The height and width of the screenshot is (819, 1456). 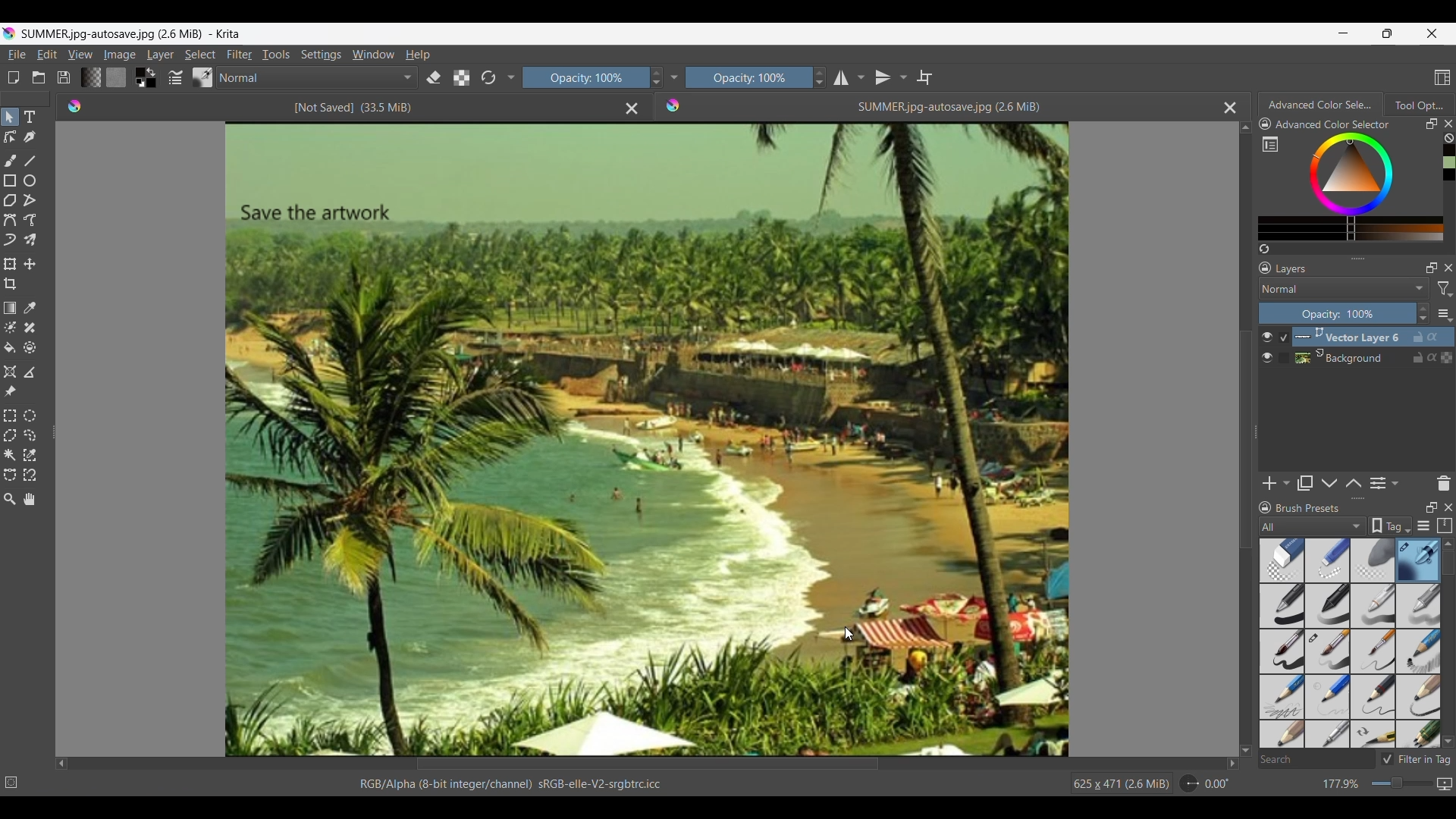 What do you see at coordinates (30, 474) in the screenshot?
I see `Magnetic curve selection tool` at bounding box center [30, 474].